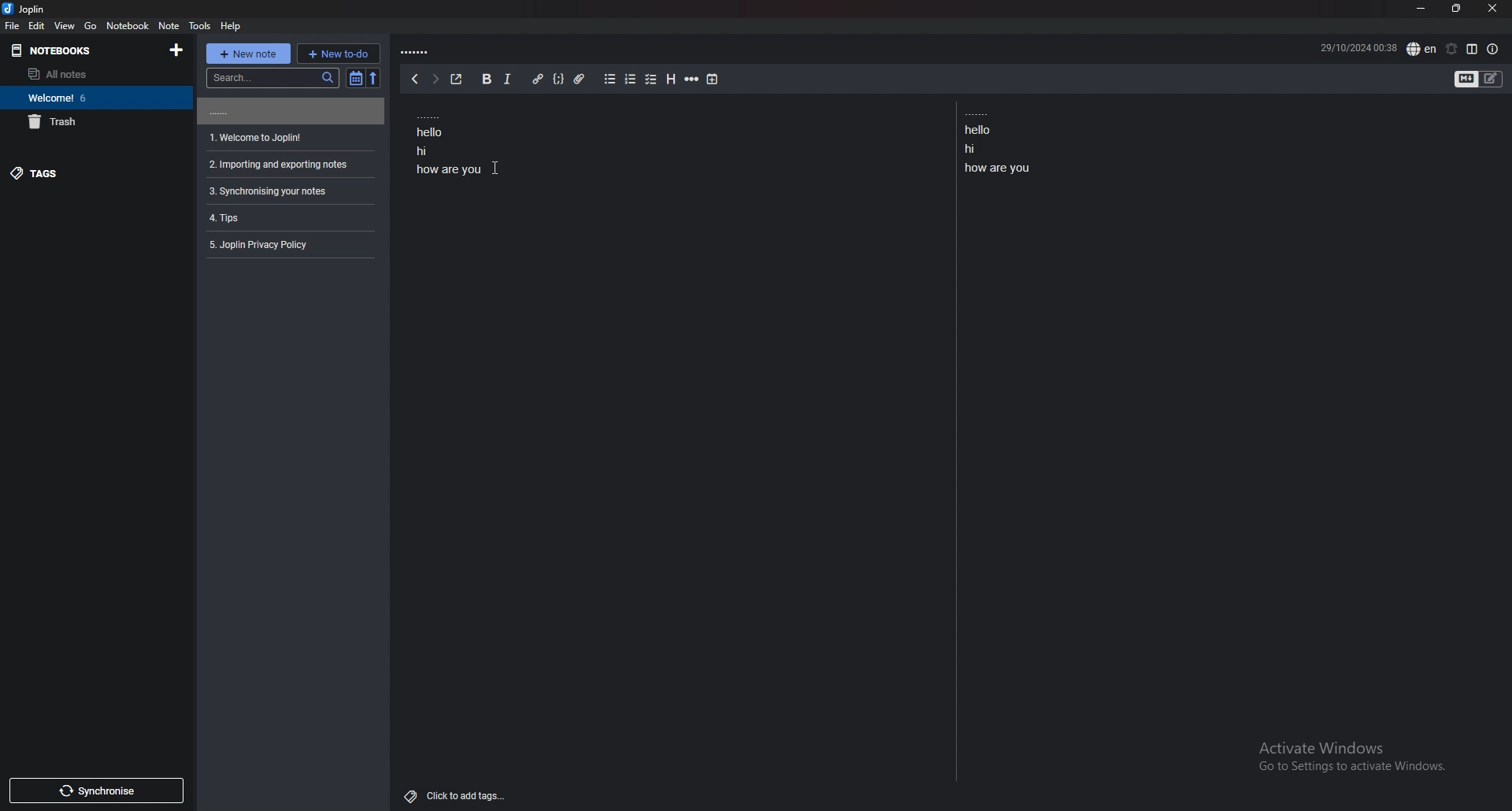 The height and width of the screenshot is (811, 1512). Describe the element at coordinates (1492, 50) in the screenshot. I see `note properties` at that location.